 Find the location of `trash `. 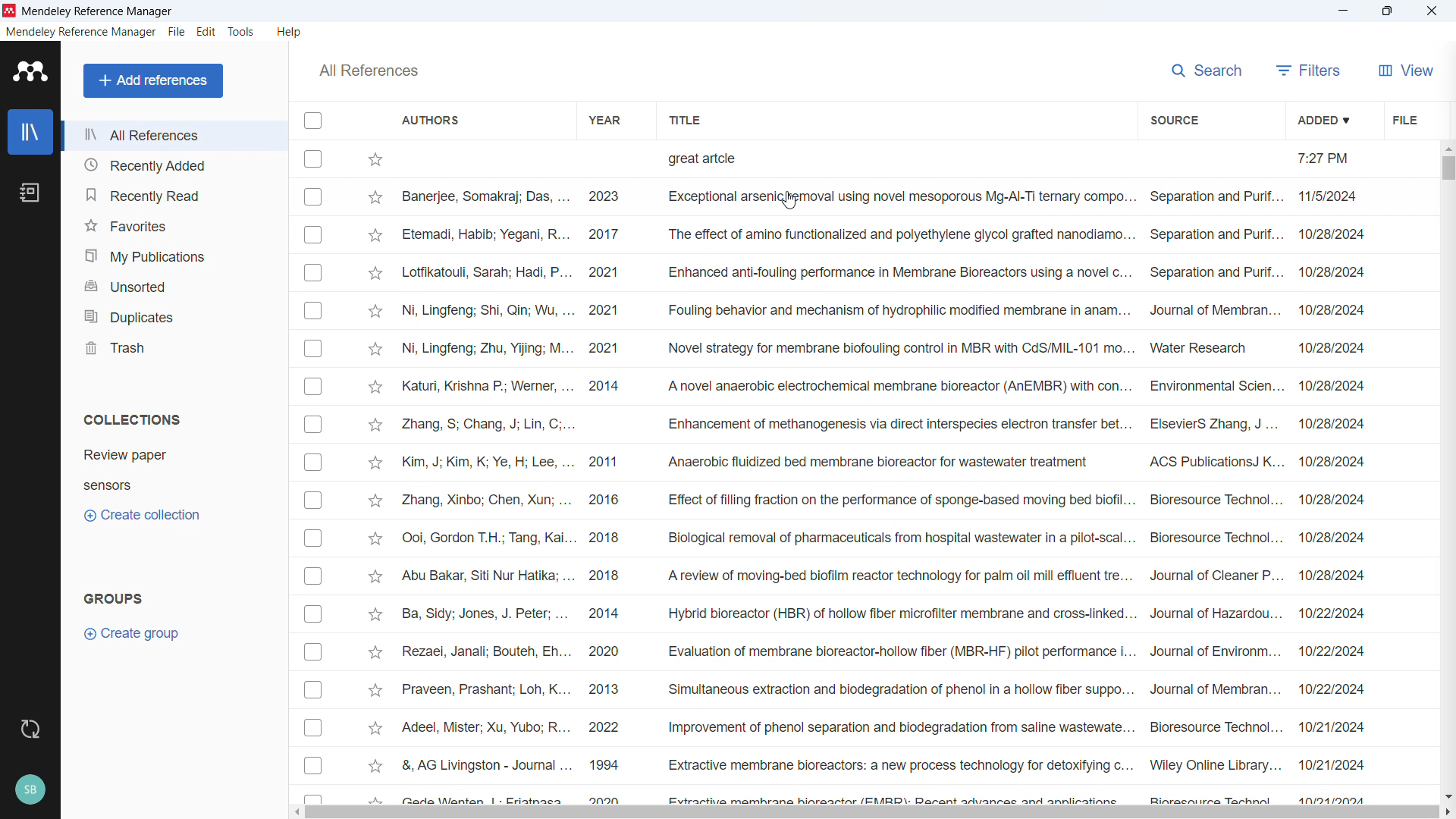

trash  is located at coordinates (173, 347).